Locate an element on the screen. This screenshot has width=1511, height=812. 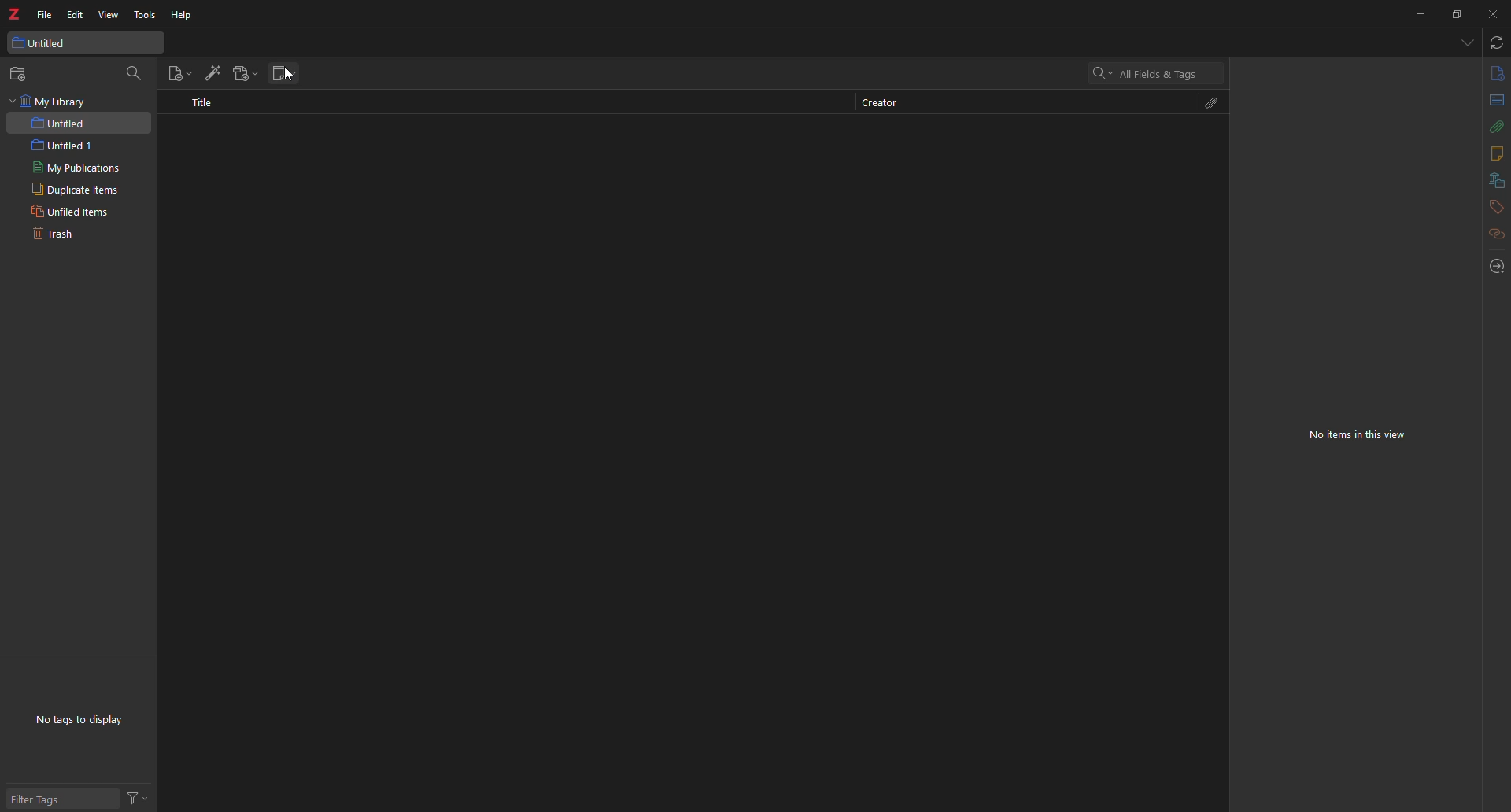
untitled is located at coordinates (64, 124).